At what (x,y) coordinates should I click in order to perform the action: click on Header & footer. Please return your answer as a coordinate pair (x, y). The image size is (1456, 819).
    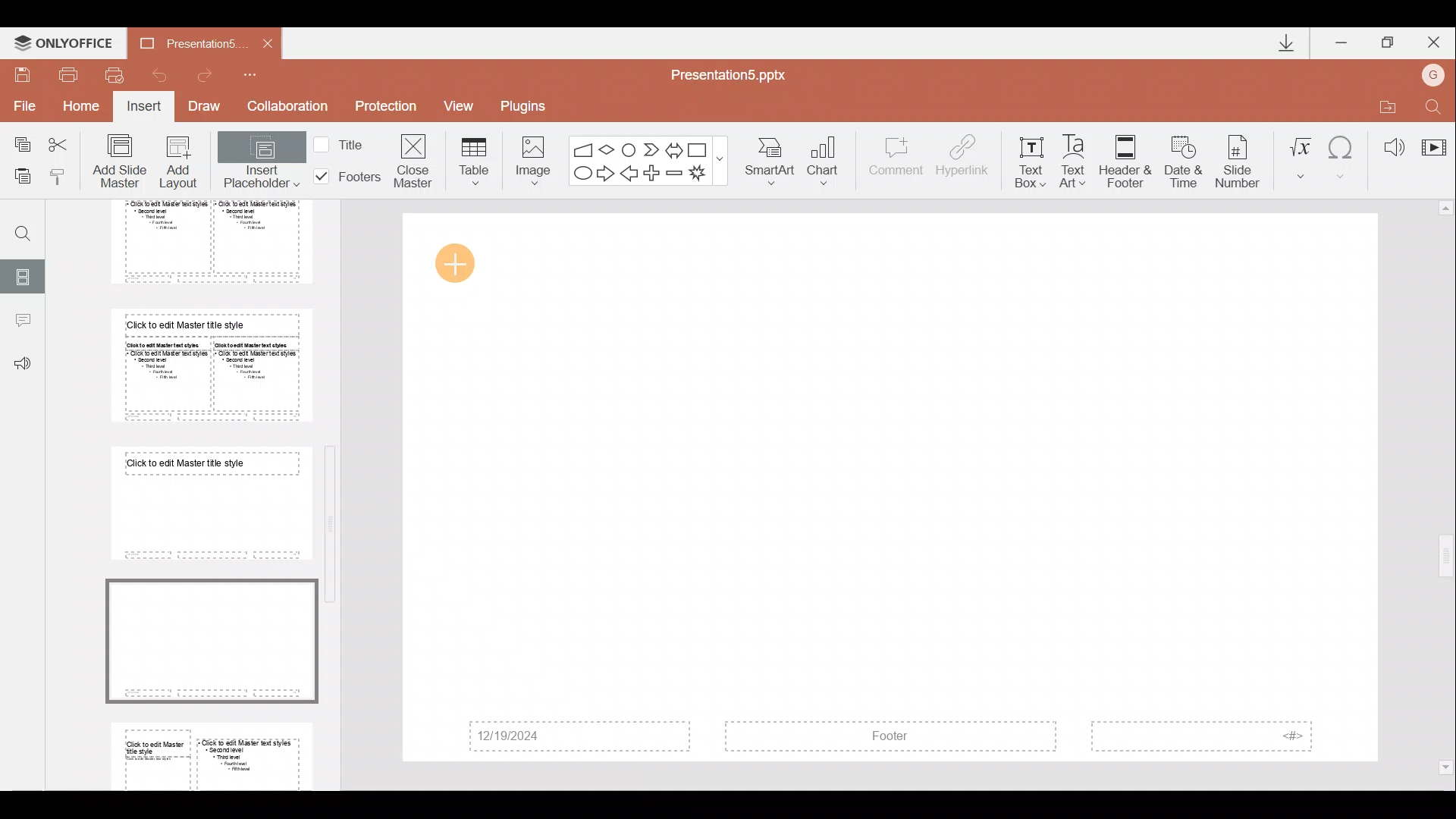
    Looking at the image, I should click on (1125, 161).